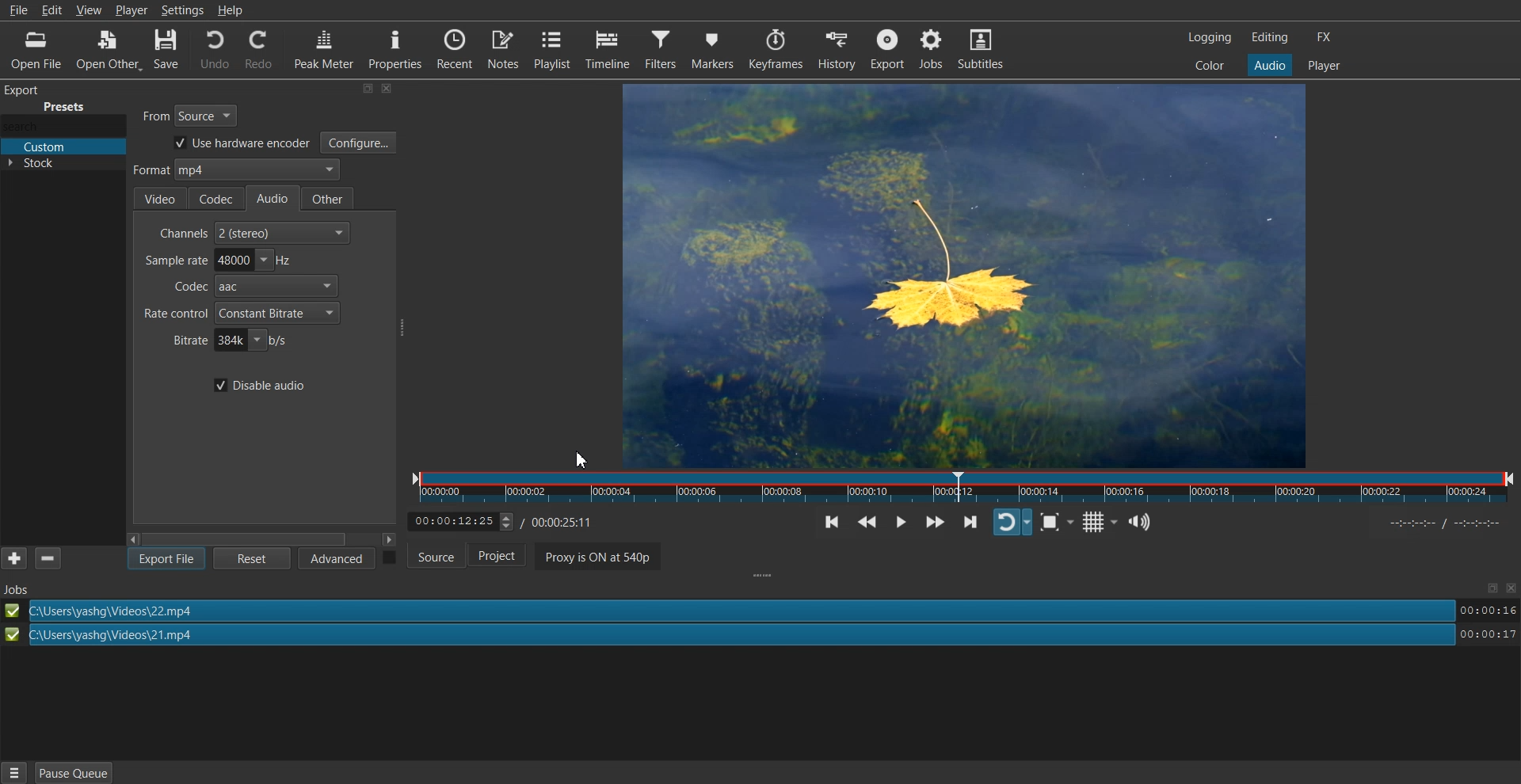 This screenshot has height=784, width=1521. What do you see at coordinates (68, 107) in the screenshot?
I see `Presents` at bounding box center [68, 107].